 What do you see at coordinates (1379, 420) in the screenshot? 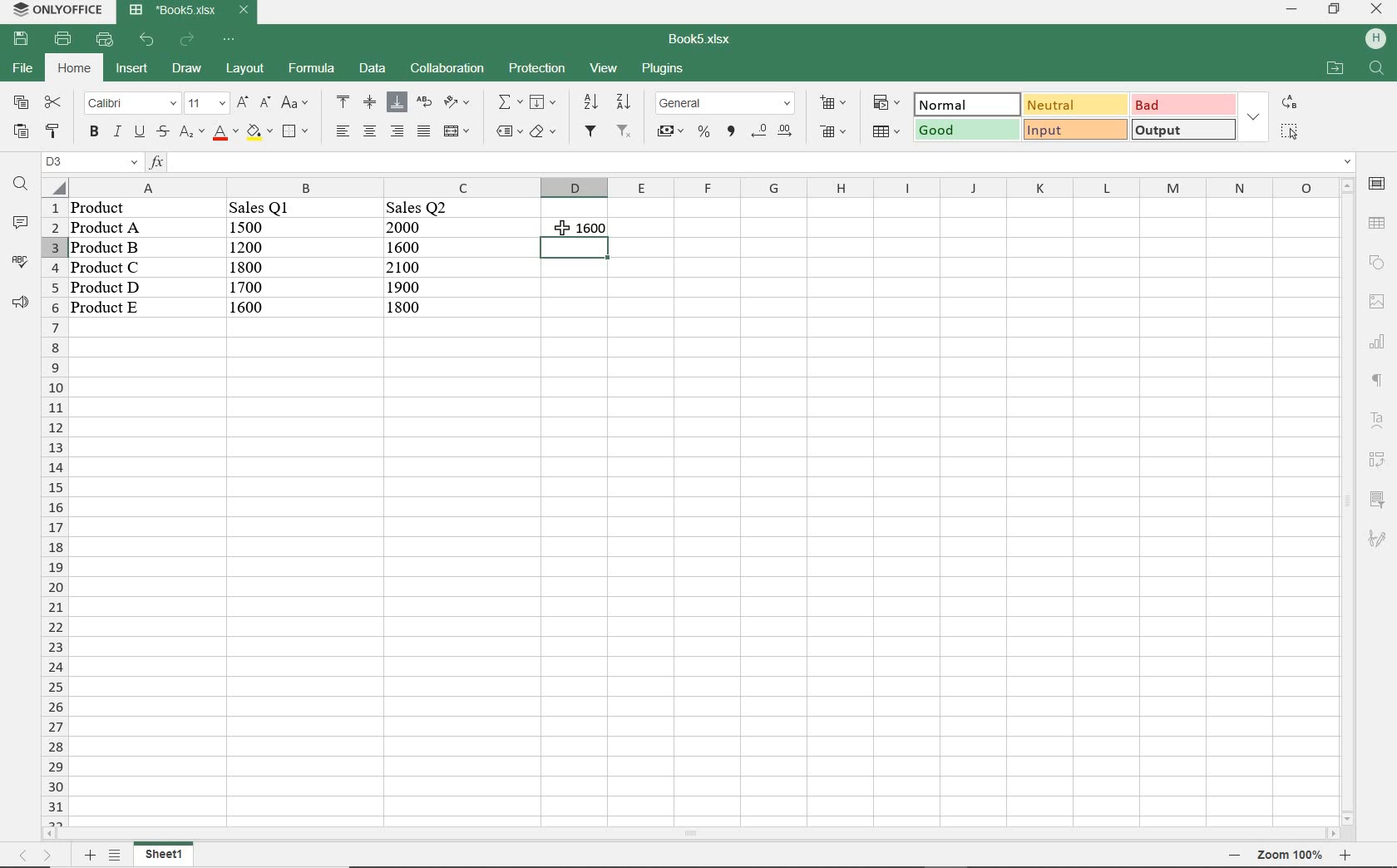
I see `text art` at bounding box center [1379, 420].